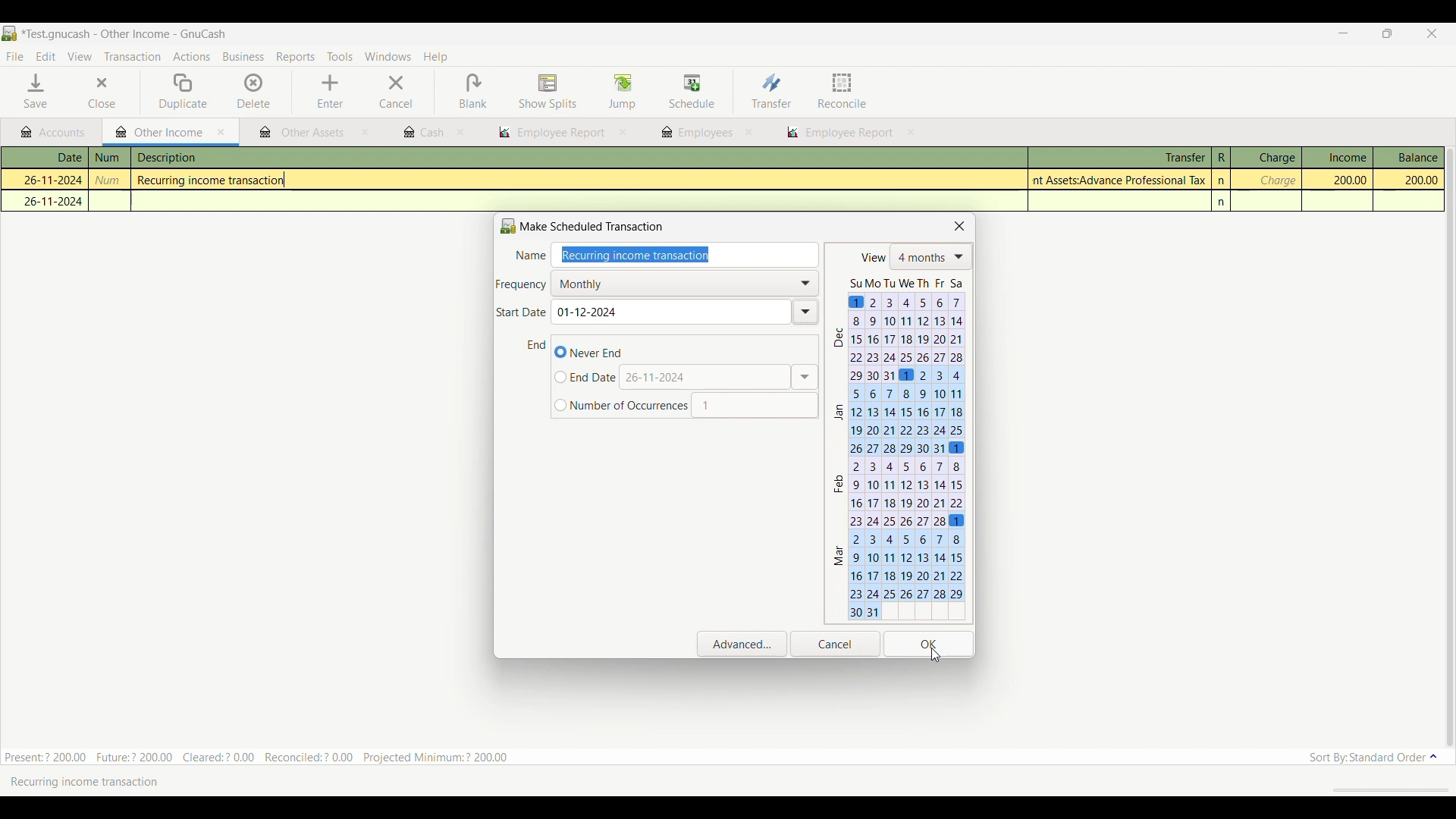 The width and height of the screenshot is (1456, 819). I want to click on employee report, so click(848, 134).